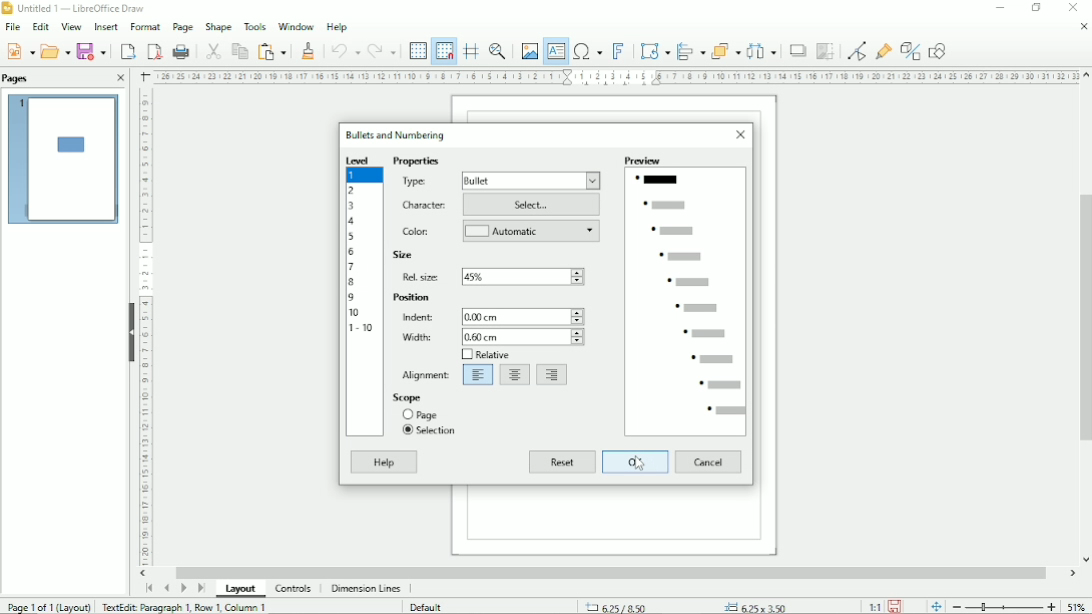 The width and height of the screenshot is (1092, 614). I want to click on Vertical scrollbar, so click(1083, 317).